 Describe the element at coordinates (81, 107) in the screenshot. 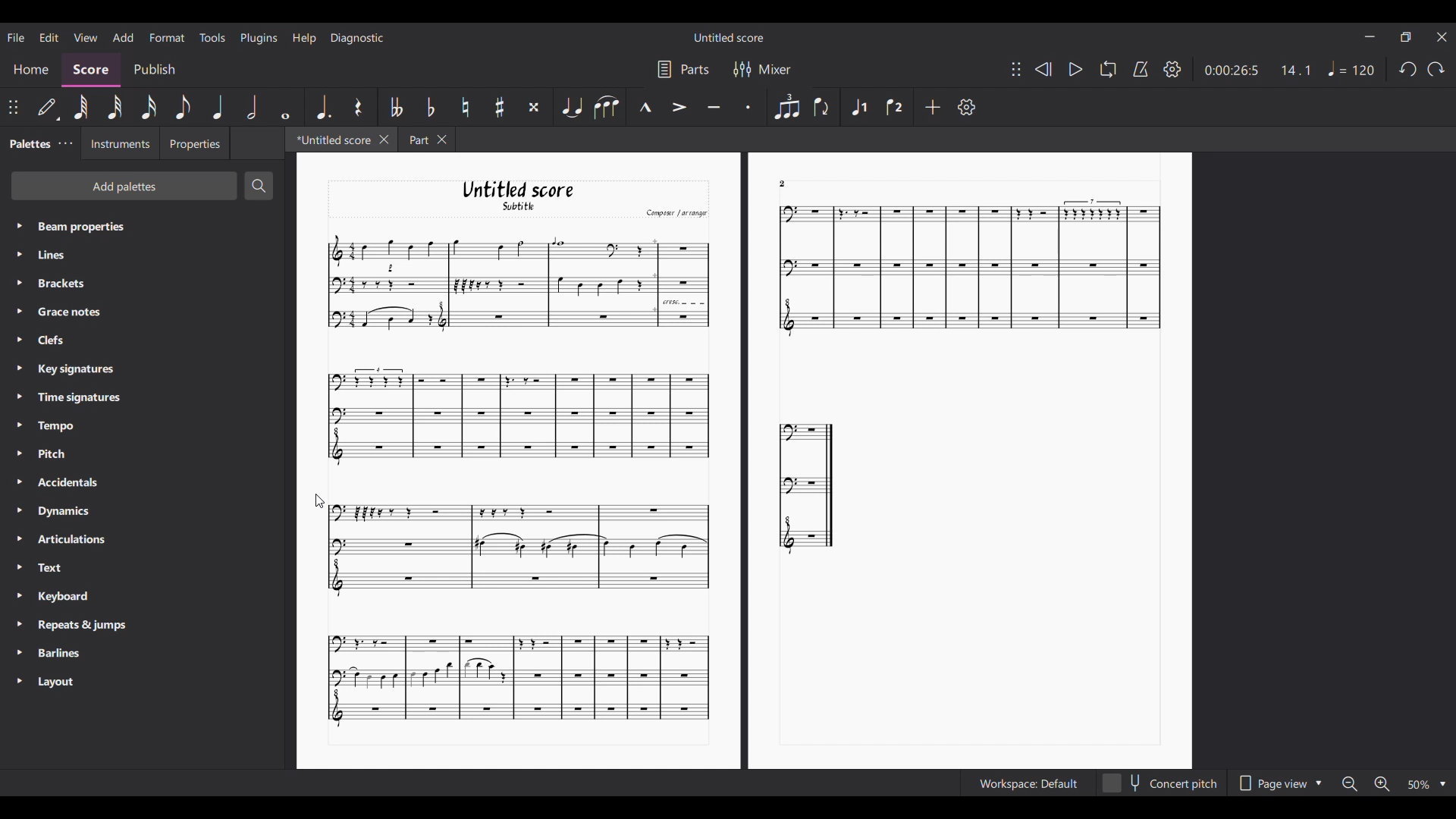

I see `64th note` at that location.